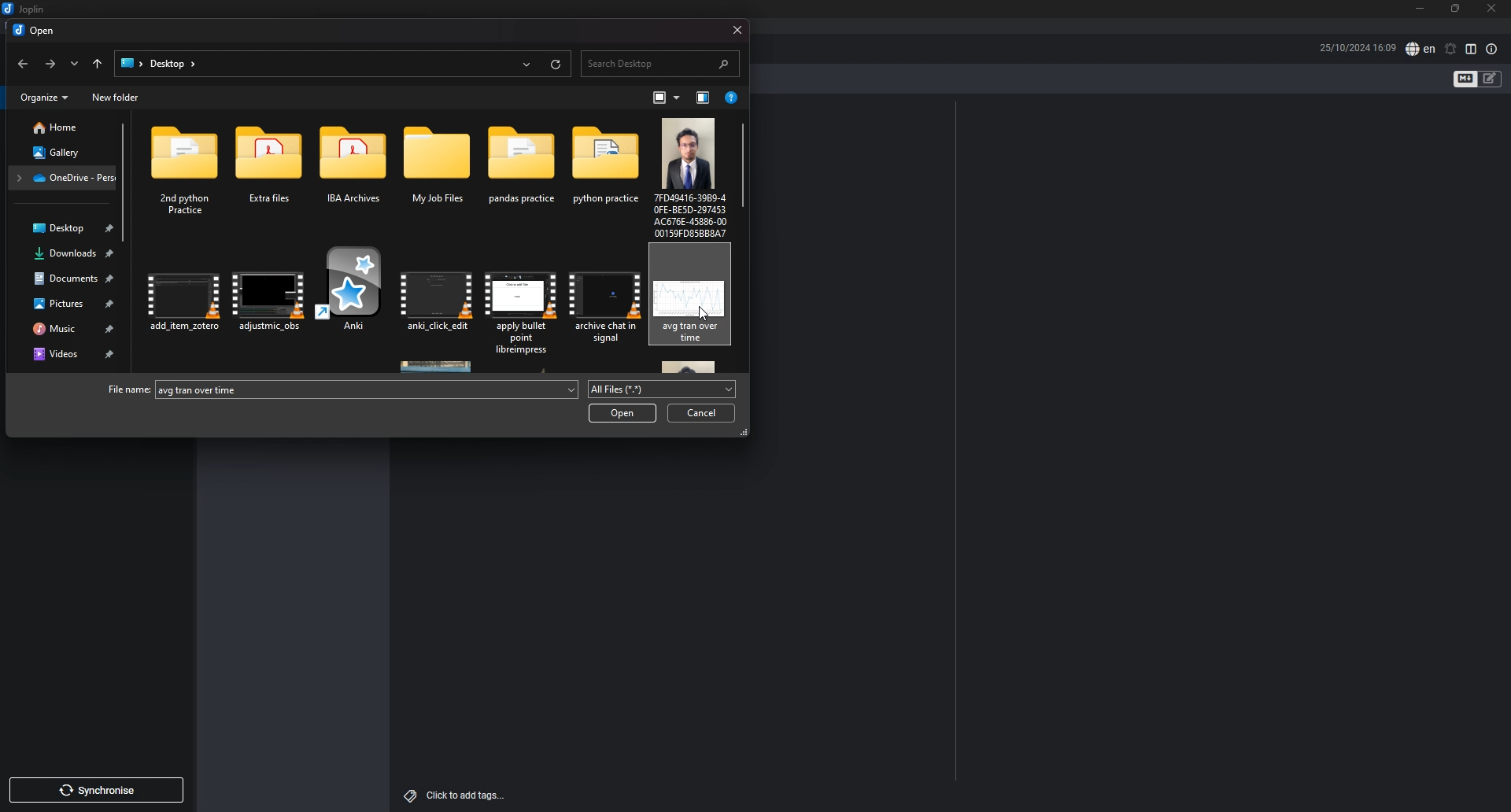 The height and width of the screenshot is (812, 1511). What do you see at coordinates (1472, 50) in the screenshot?
I see `toggle editor layout` at bounding box center [1472, 50].